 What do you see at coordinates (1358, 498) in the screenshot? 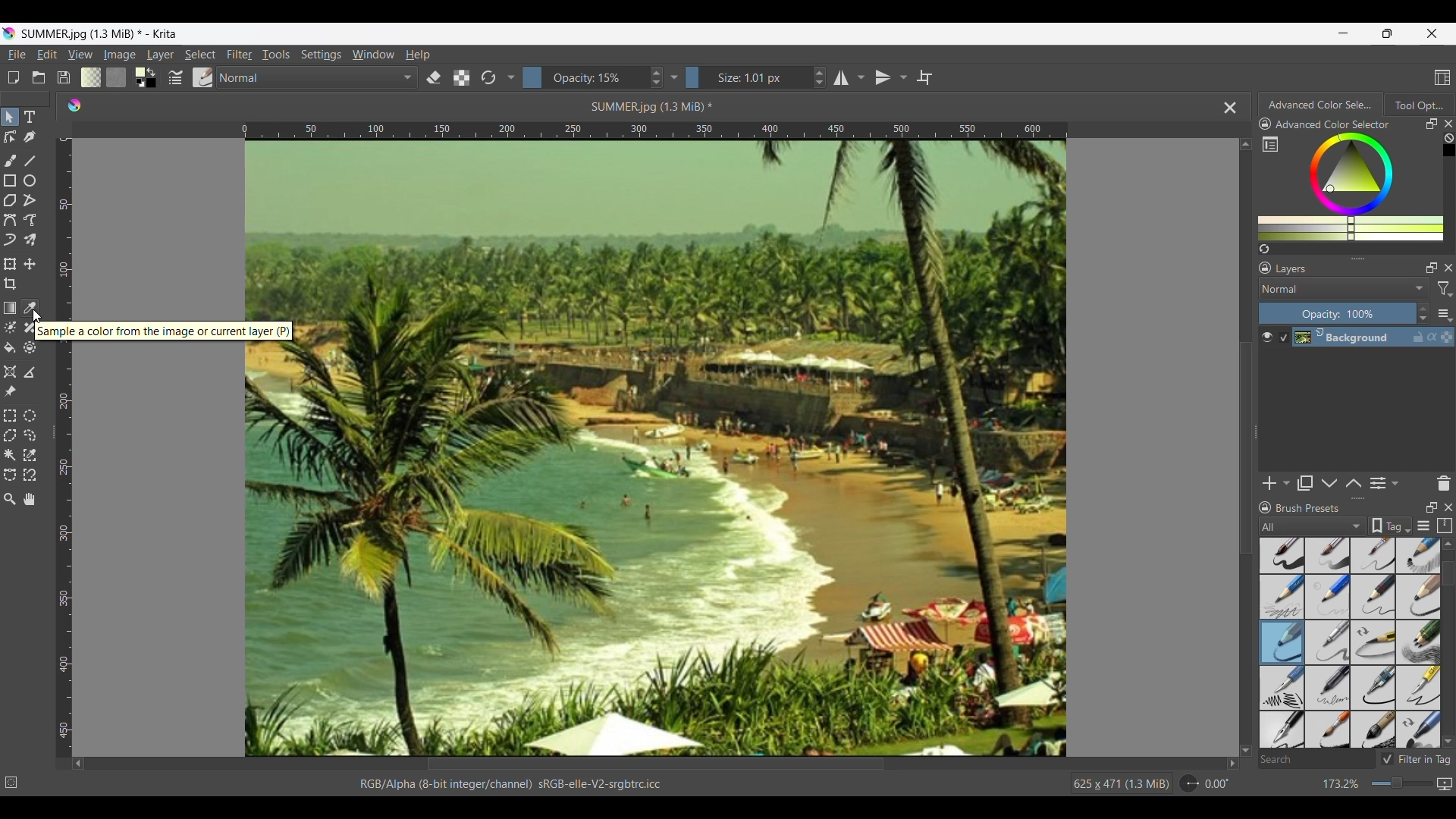
I see `Change height of panels attached to this line` at bounding box center [1358, 498].